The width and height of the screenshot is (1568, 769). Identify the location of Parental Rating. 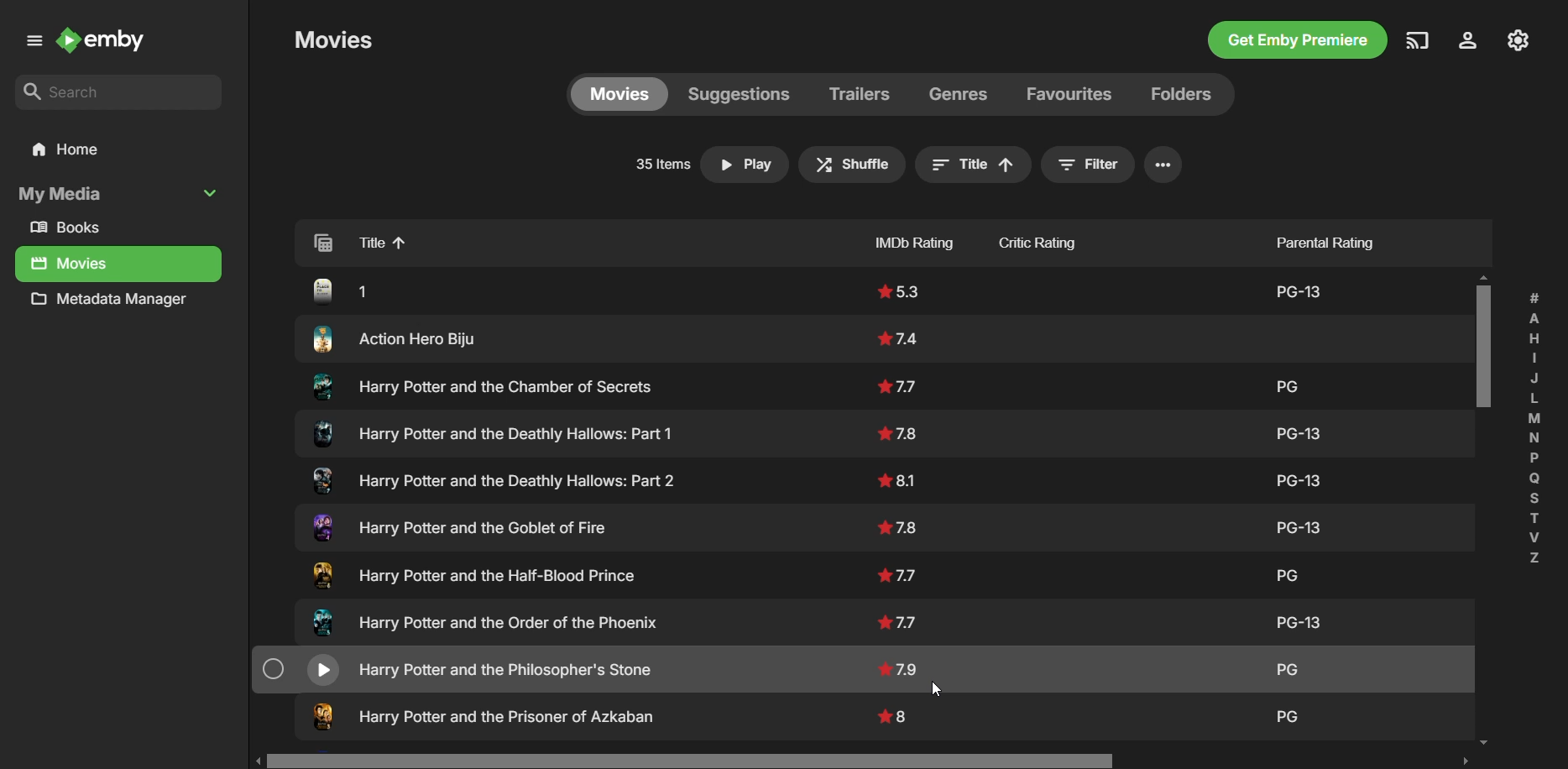
(1319, 238).